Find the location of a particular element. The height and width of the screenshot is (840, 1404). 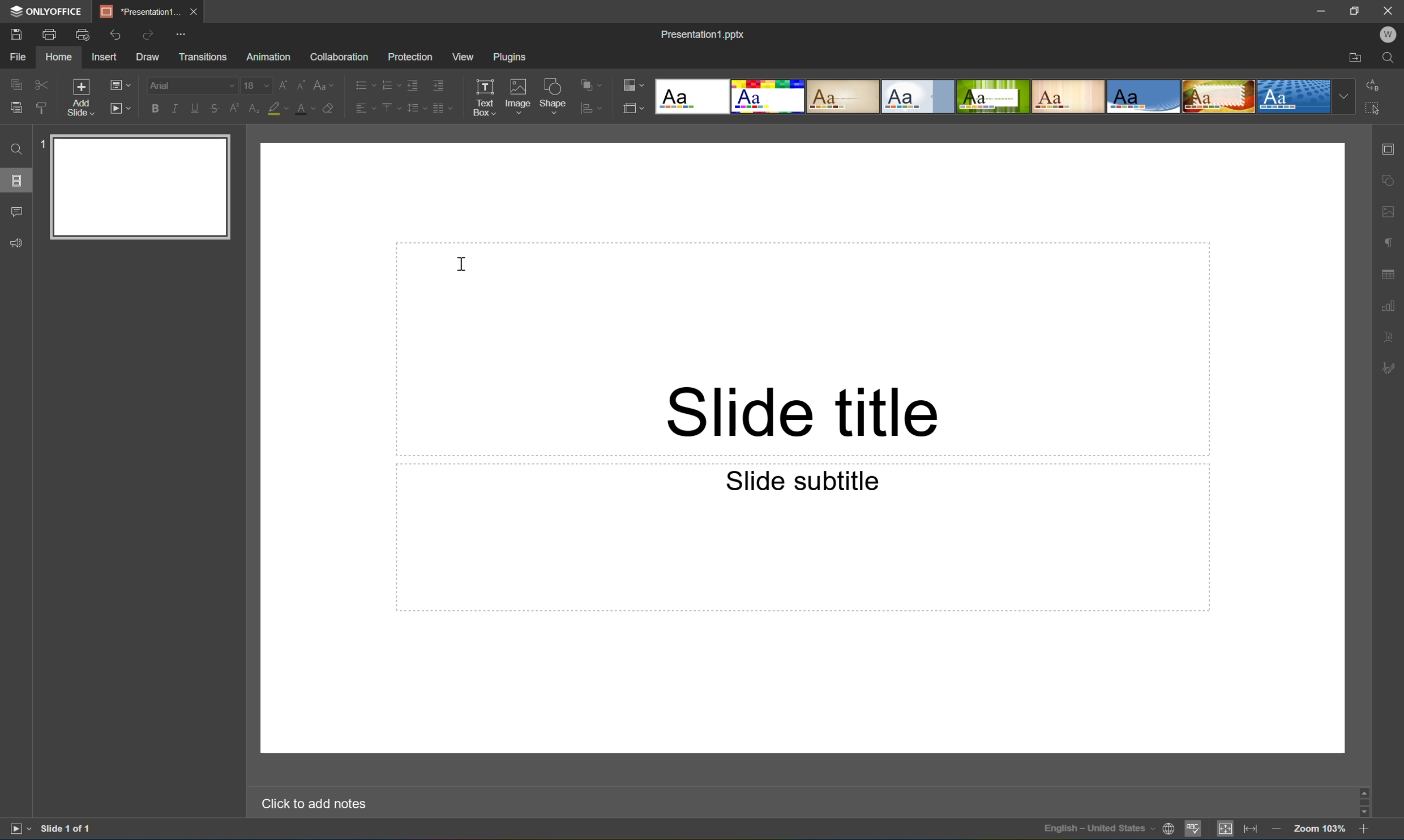

Add slide is located at coordinates (79, 97).